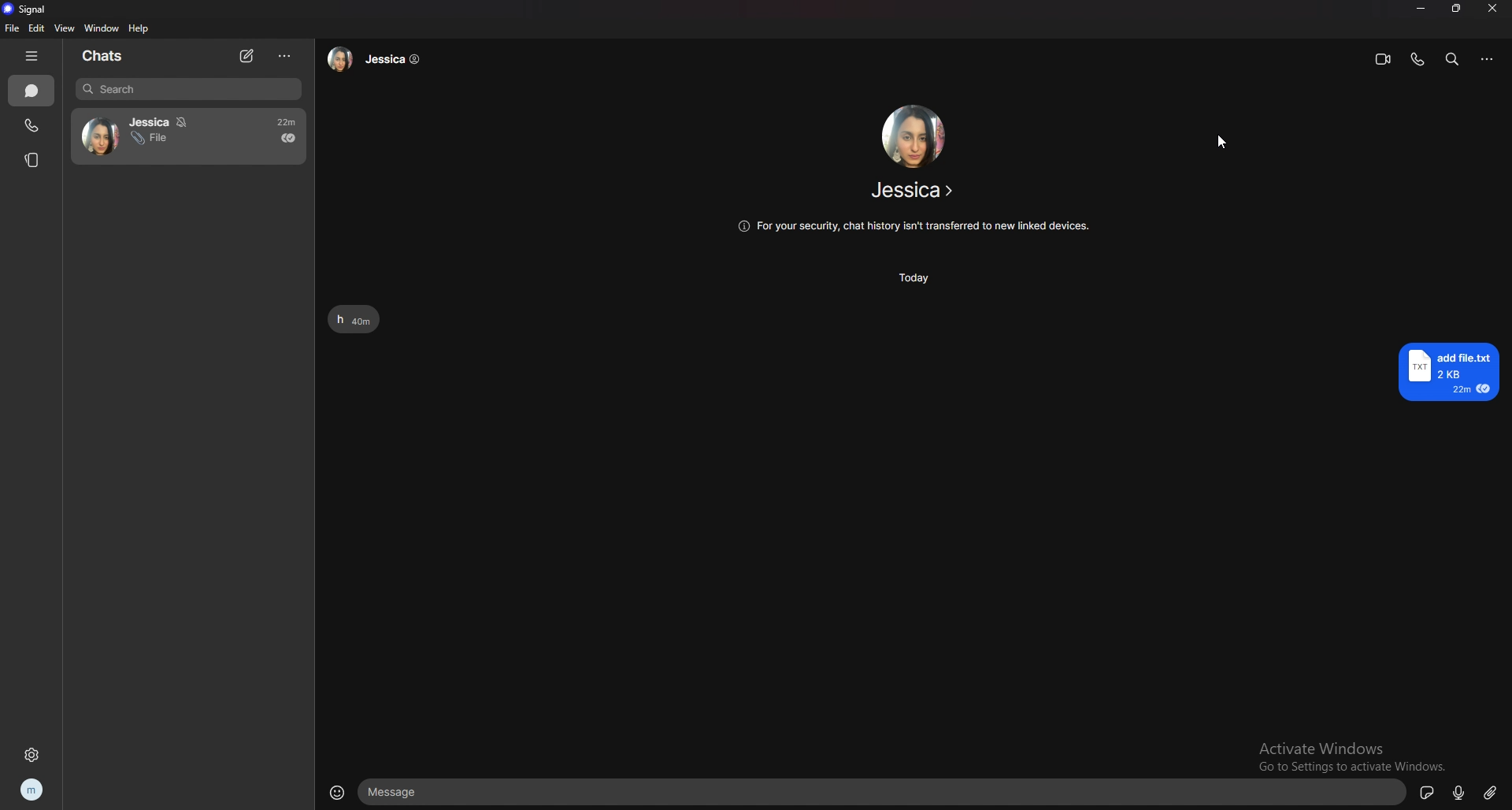  What do you see at coordinates (354, 320) in the screenshot?
I see `text` at bounding box center [354, 320].